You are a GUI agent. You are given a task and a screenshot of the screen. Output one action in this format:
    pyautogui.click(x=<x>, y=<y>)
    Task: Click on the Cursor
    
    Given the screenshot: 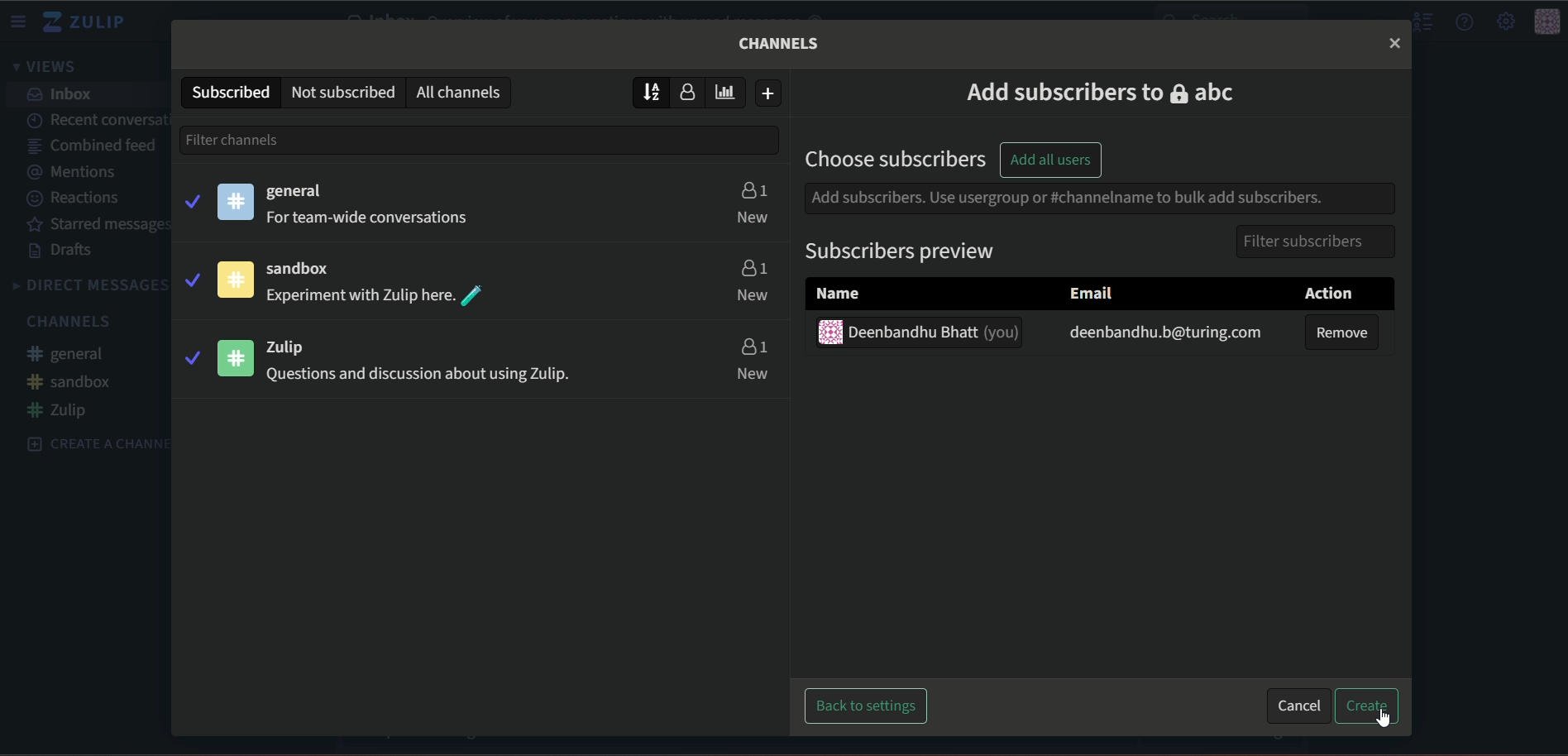 What is the action you would take?
    pyautogui.click(x=1382, y=717)
    